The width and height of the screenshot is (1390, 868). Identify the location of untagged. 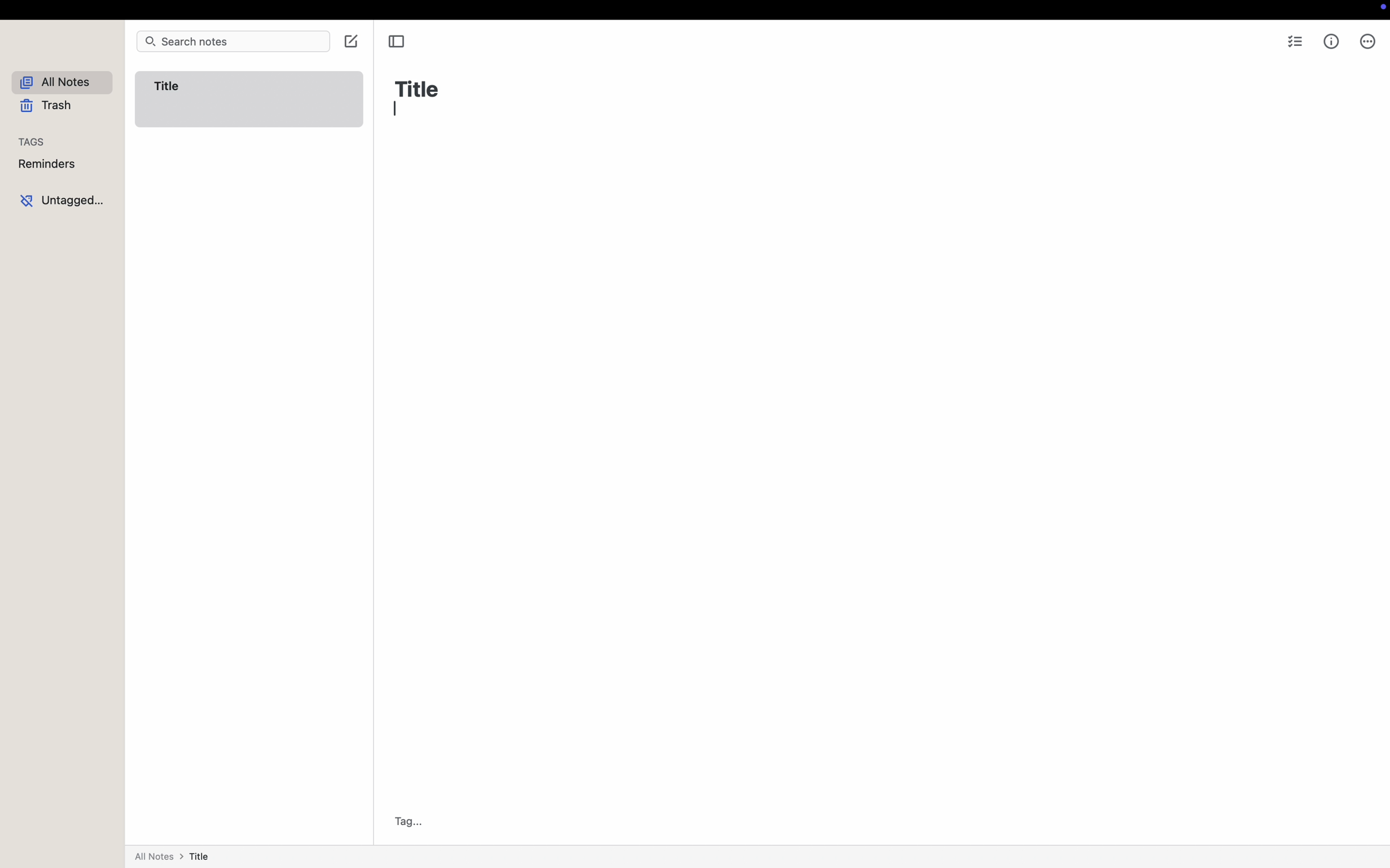
(61, 199).